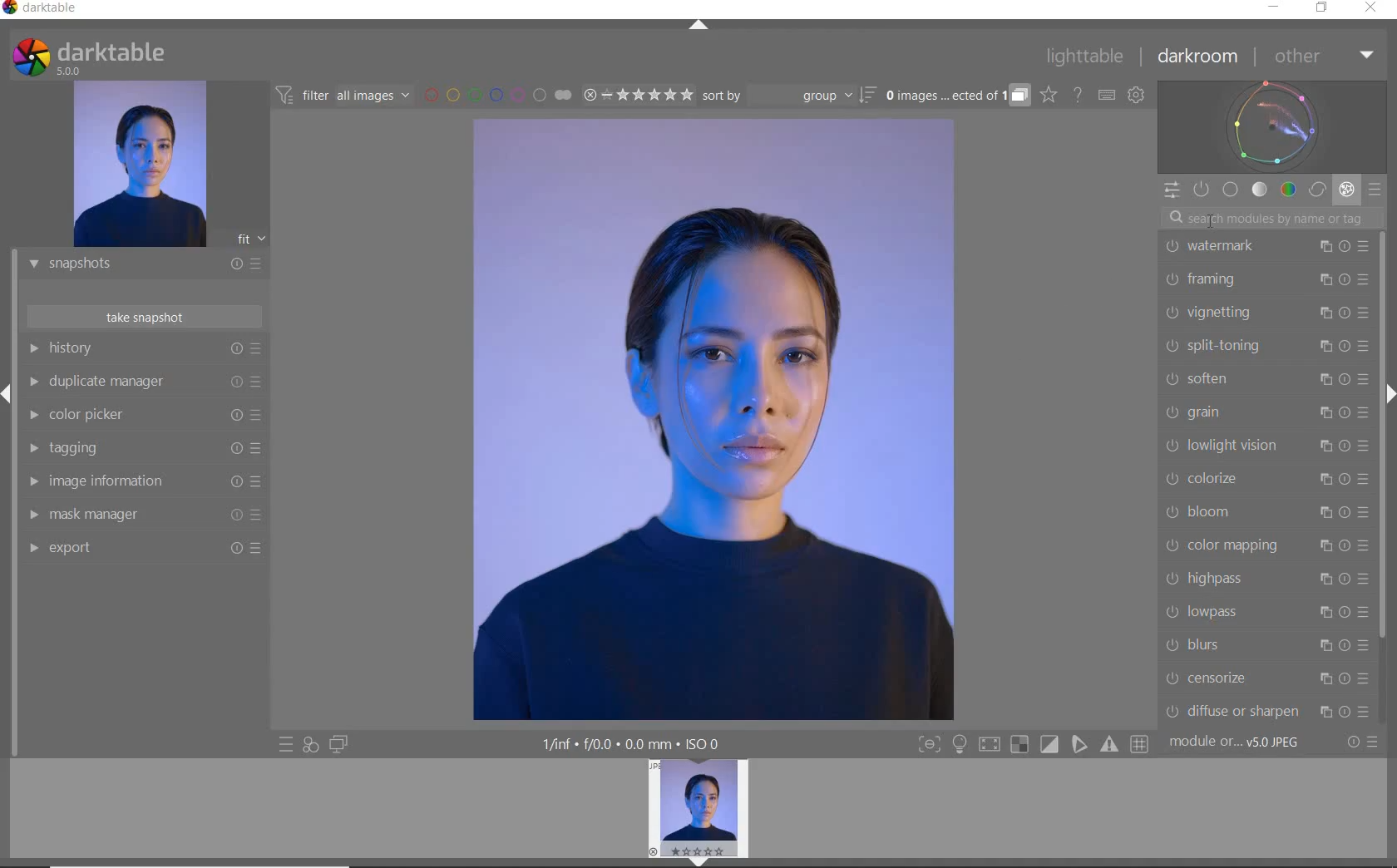 The height and width of the screenshot is (868, 1397). What do you see at coordinates (701, 27) in the screenshot?
I see `EXPAND/COLLAPSE` at bounding box center [701, 27].